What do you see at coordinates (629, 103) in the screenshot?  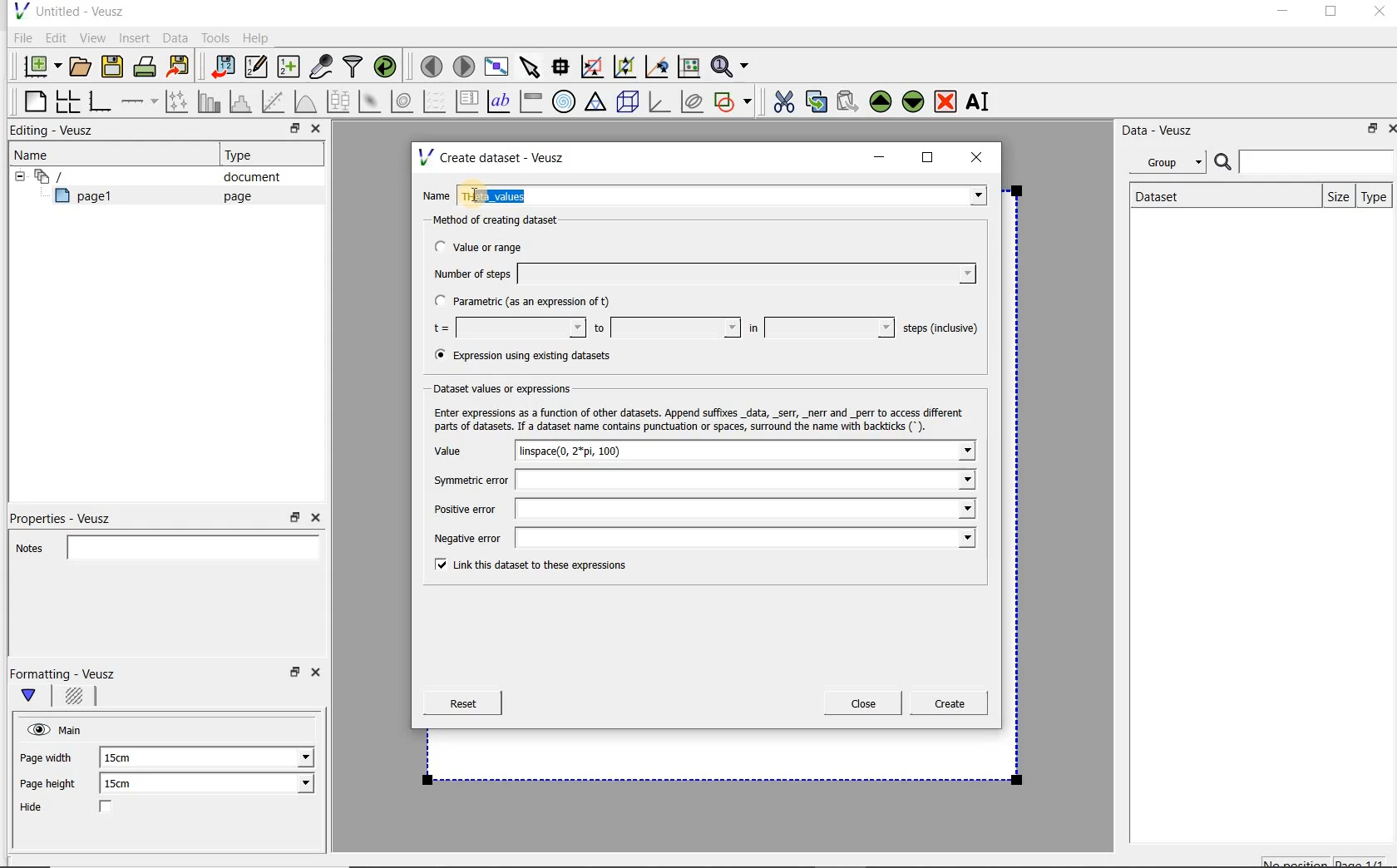 I see `3d scene` at bounding box center [629, 103].